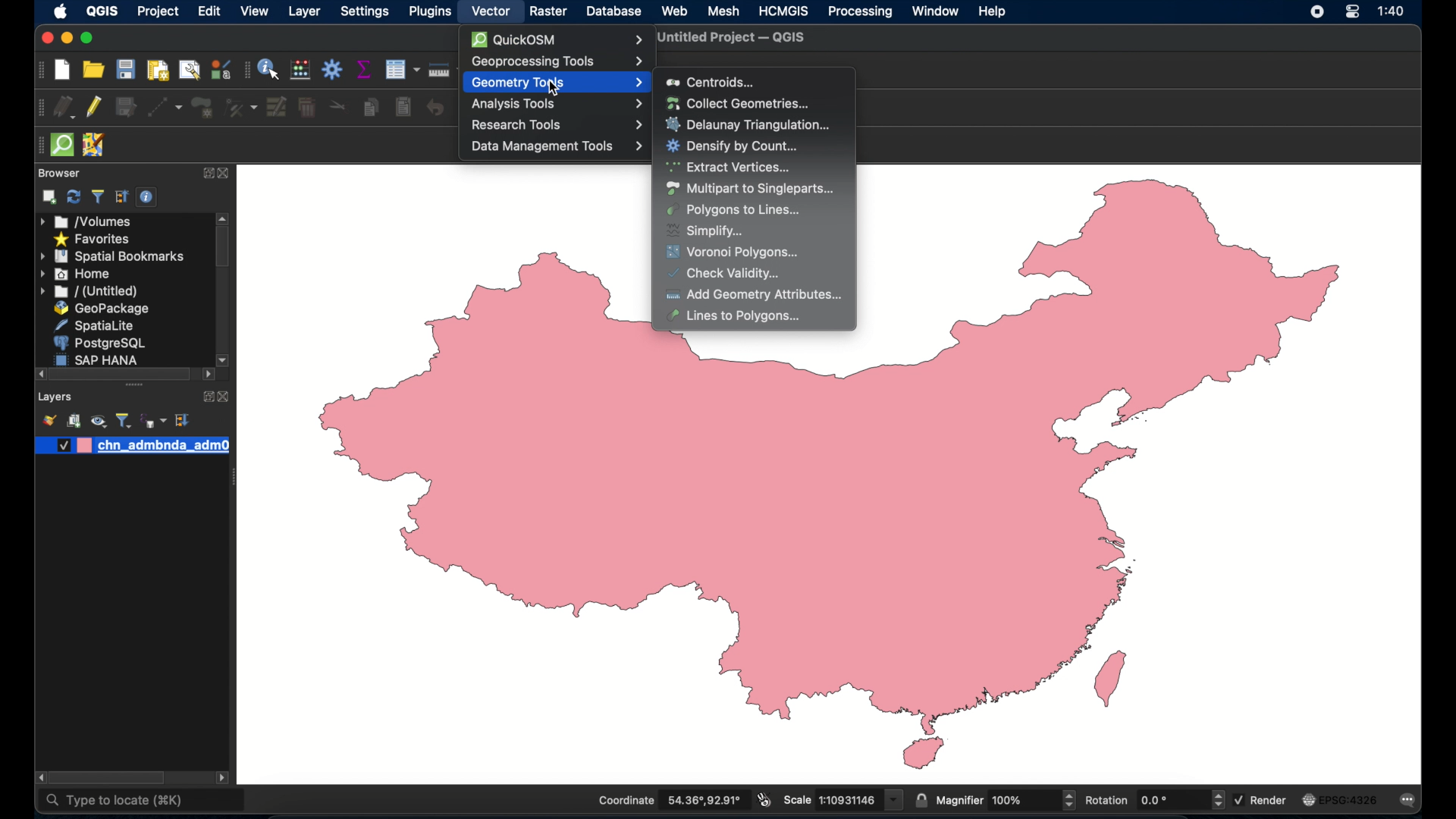 The height and width of the screenshot is (819, 1456). Describe the element at coordinates (1351, 14) in the screenshot. I see `control center` at that location.